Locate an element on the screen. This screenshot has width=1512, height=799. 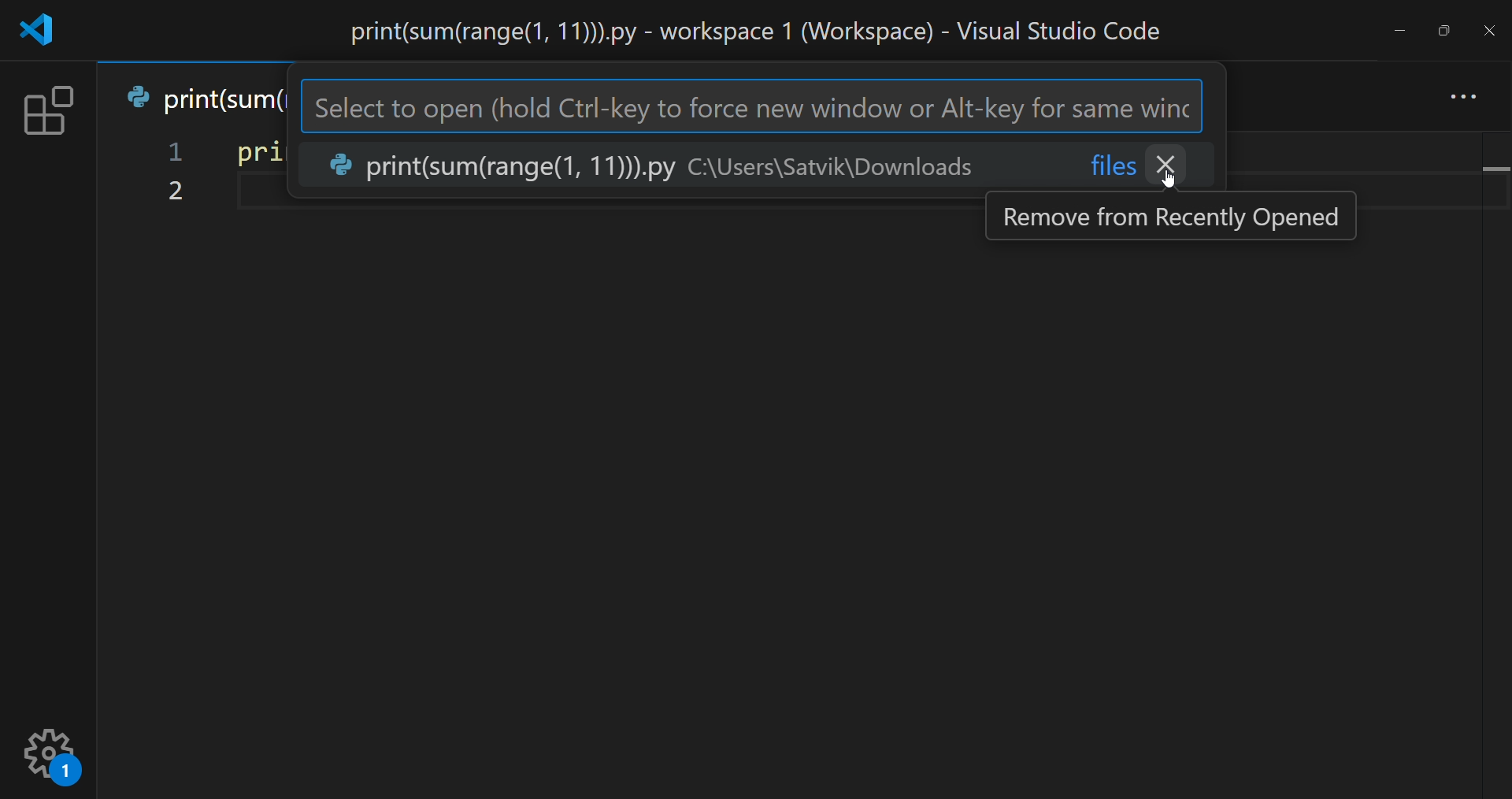
maximize is located at coordinates (1445, 28).